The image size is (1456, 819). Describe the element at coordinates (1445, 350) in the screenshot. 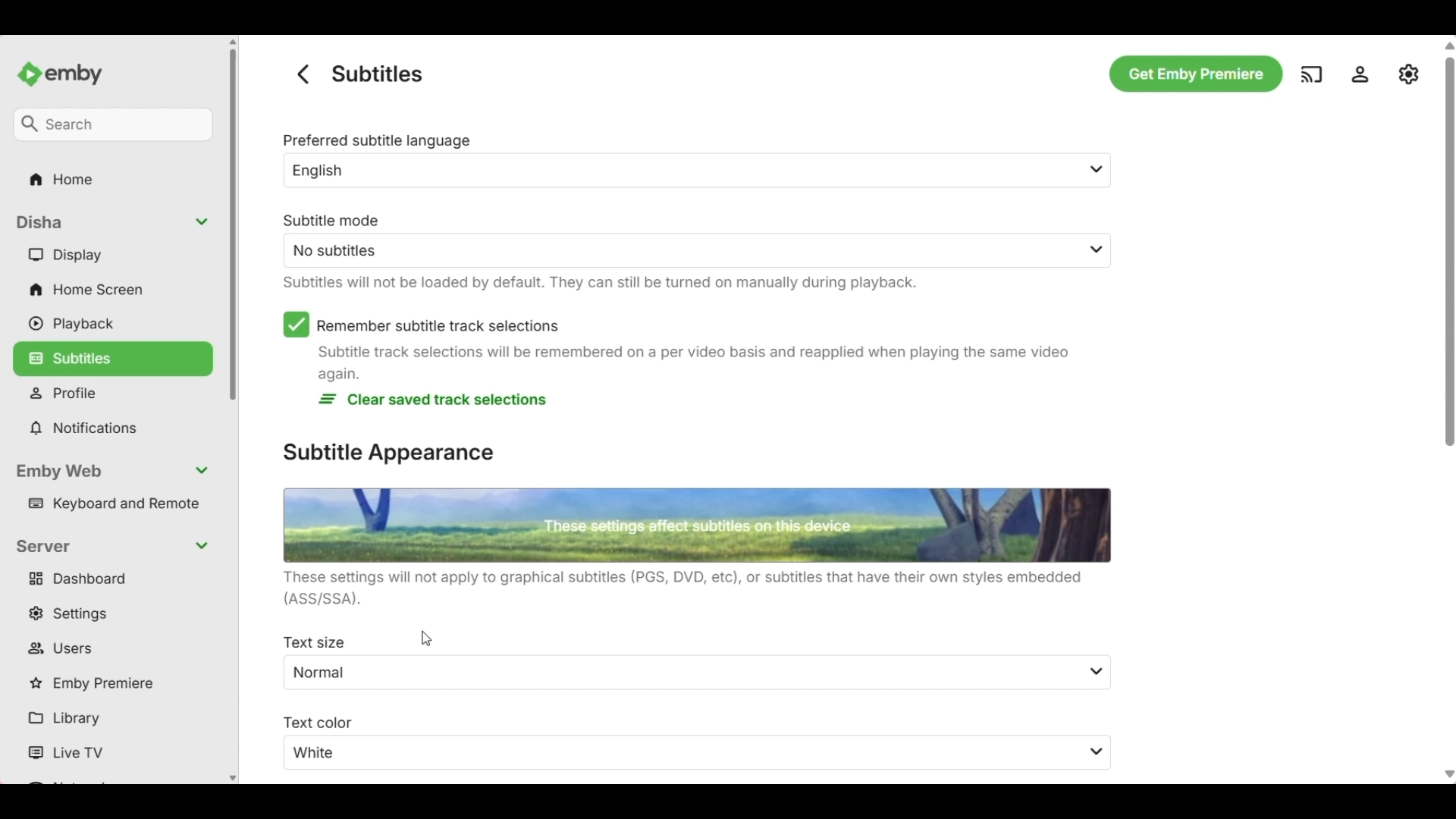

I see `` at that location.